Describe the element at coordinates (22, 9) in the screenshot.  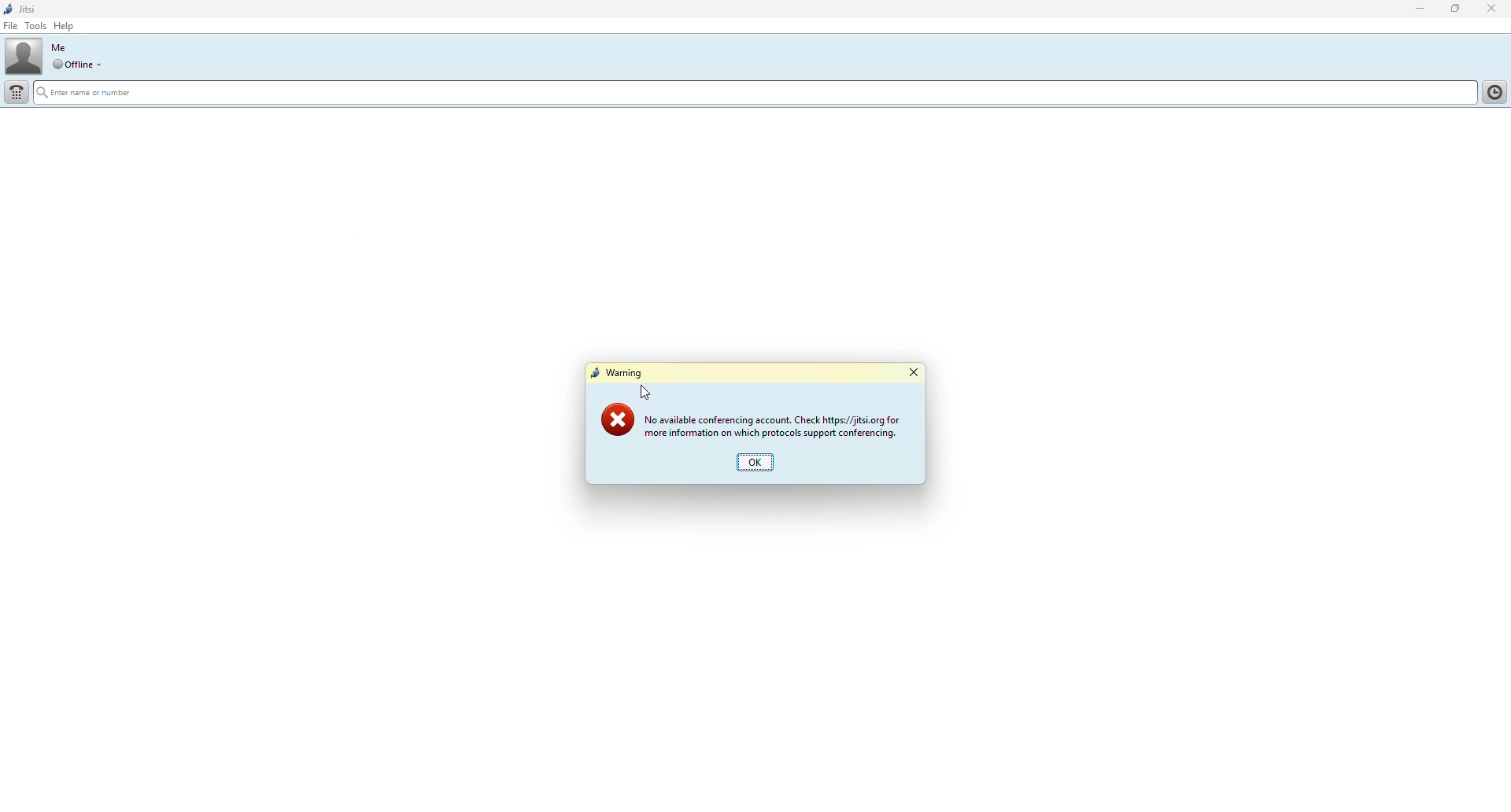
I see `jitsi` at that location.